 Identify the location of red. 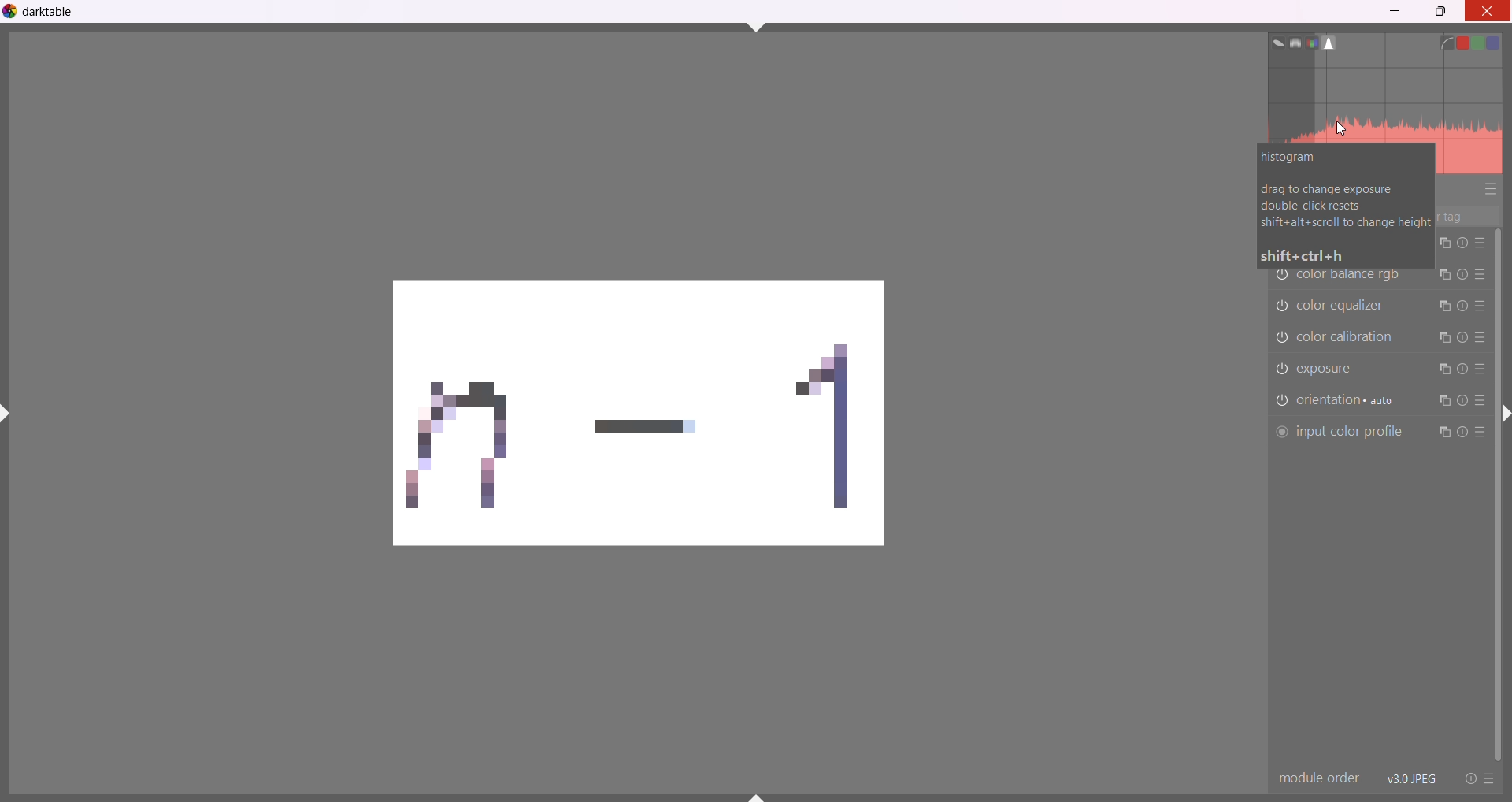
(1465, 39).